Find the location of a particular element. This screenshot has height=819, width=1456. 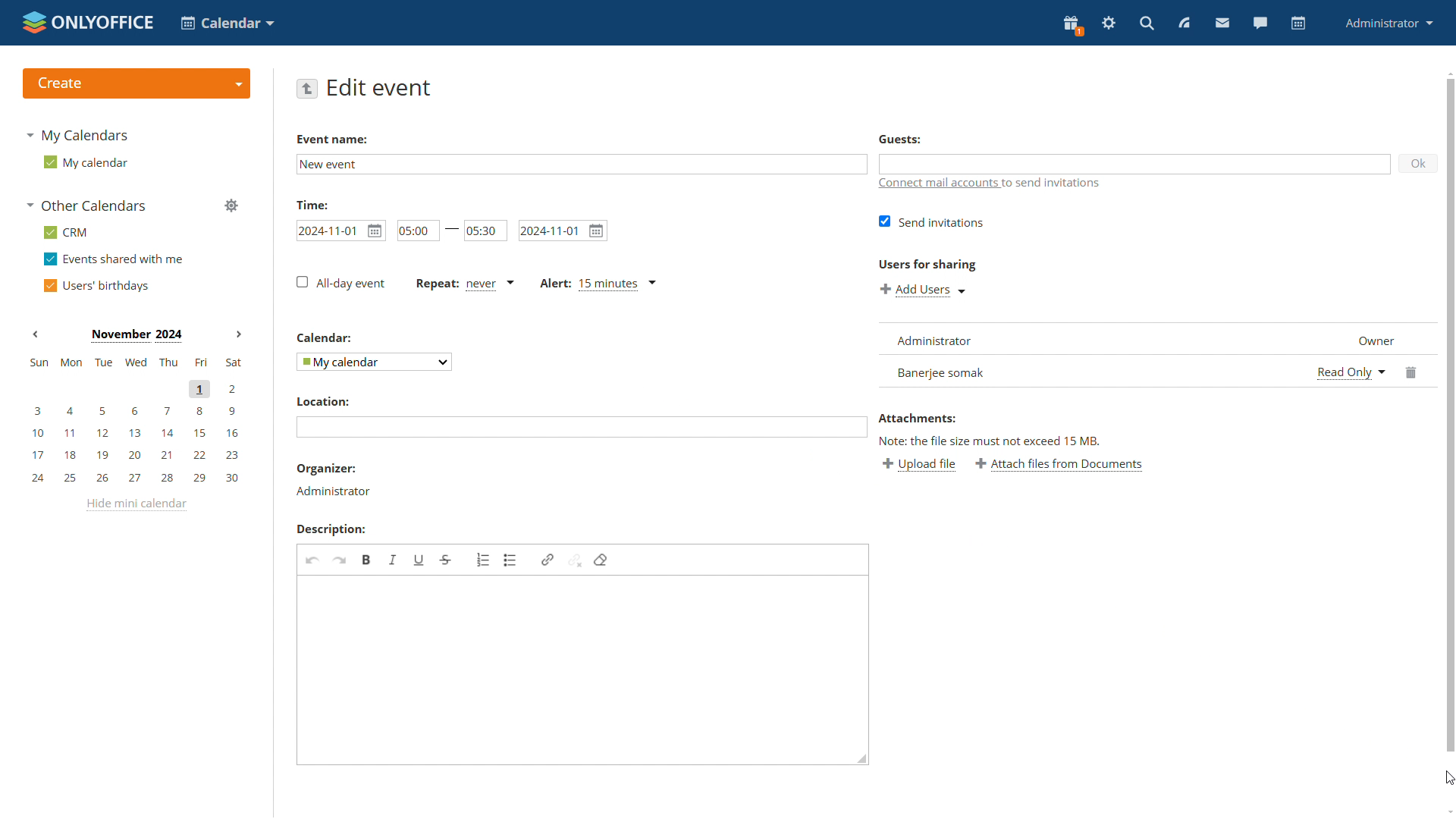

talk is located at coordinates (1260, 23).